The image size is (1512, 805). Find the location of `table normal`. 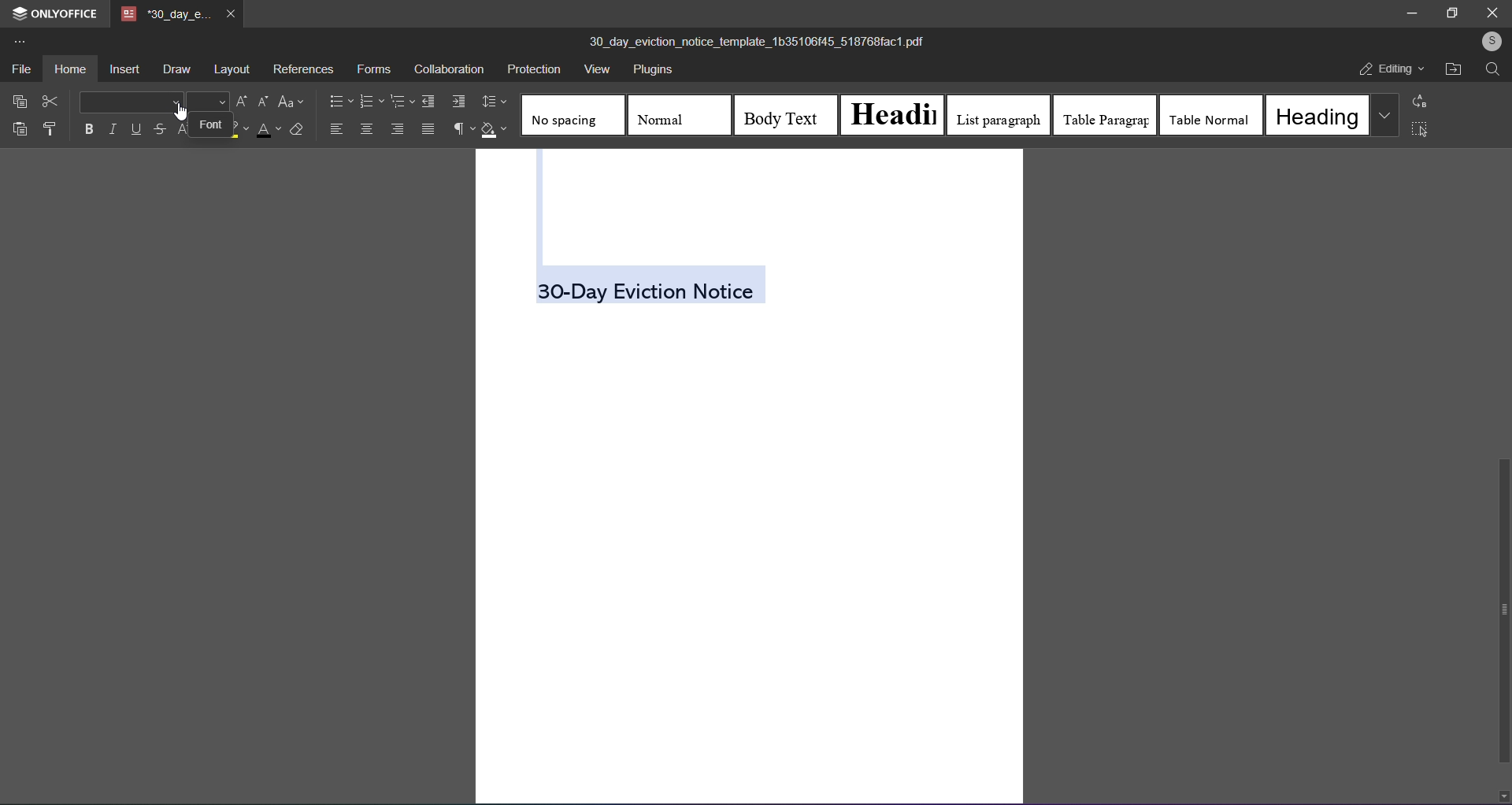

table normal is located at coordinates (1212, 115).